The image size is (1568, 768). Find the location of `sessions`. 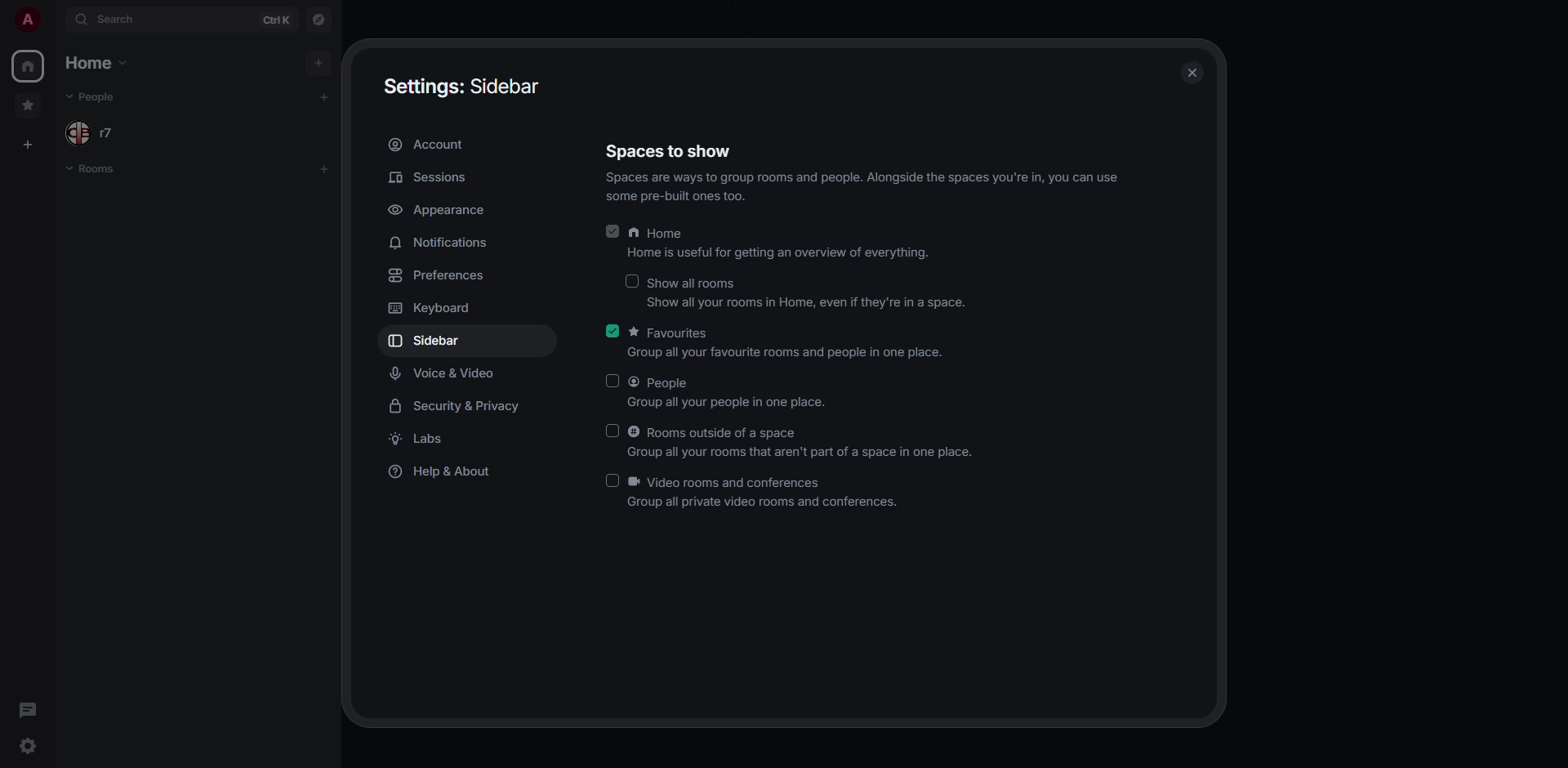

sessions is located at coordinates (430, 176).